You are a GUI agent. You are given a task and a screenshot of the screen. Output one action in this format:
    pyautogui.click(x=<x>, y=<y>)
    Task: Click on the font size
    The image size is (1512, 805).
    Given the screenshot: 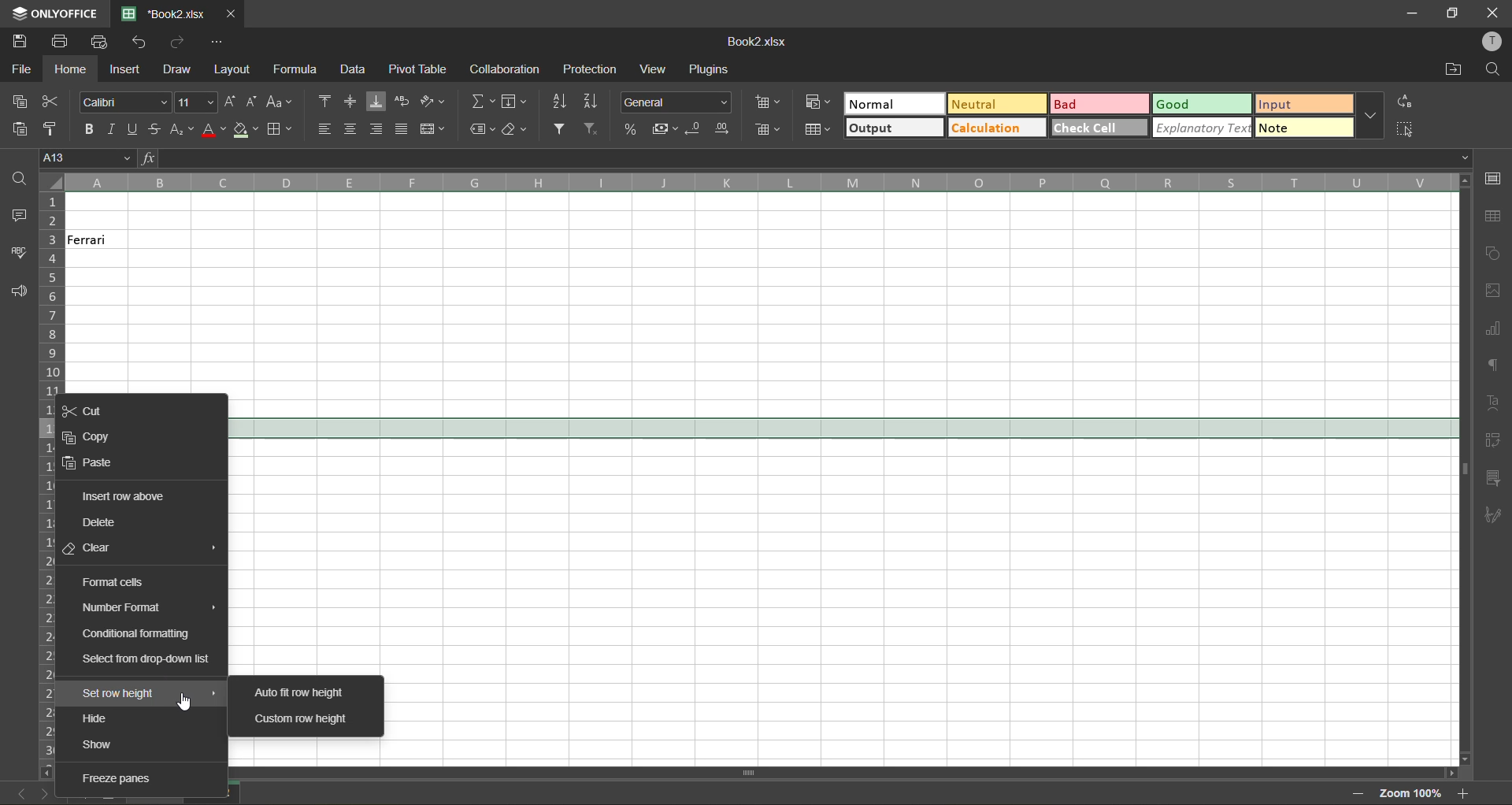 What is the action you would take?
    pyautogui.click(x=196, y=102)
    